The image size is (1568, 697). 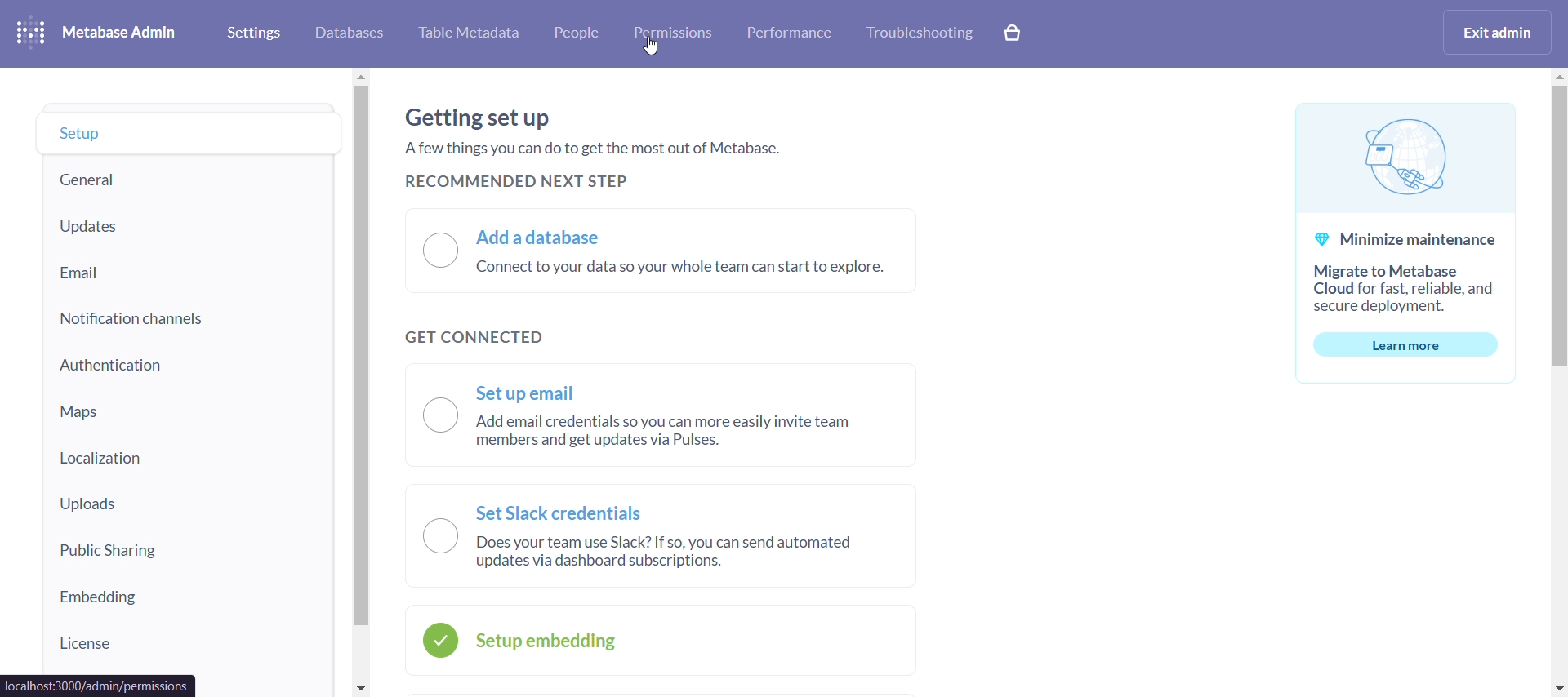 I want to click on recommended next step, so click(x=518, y=182).